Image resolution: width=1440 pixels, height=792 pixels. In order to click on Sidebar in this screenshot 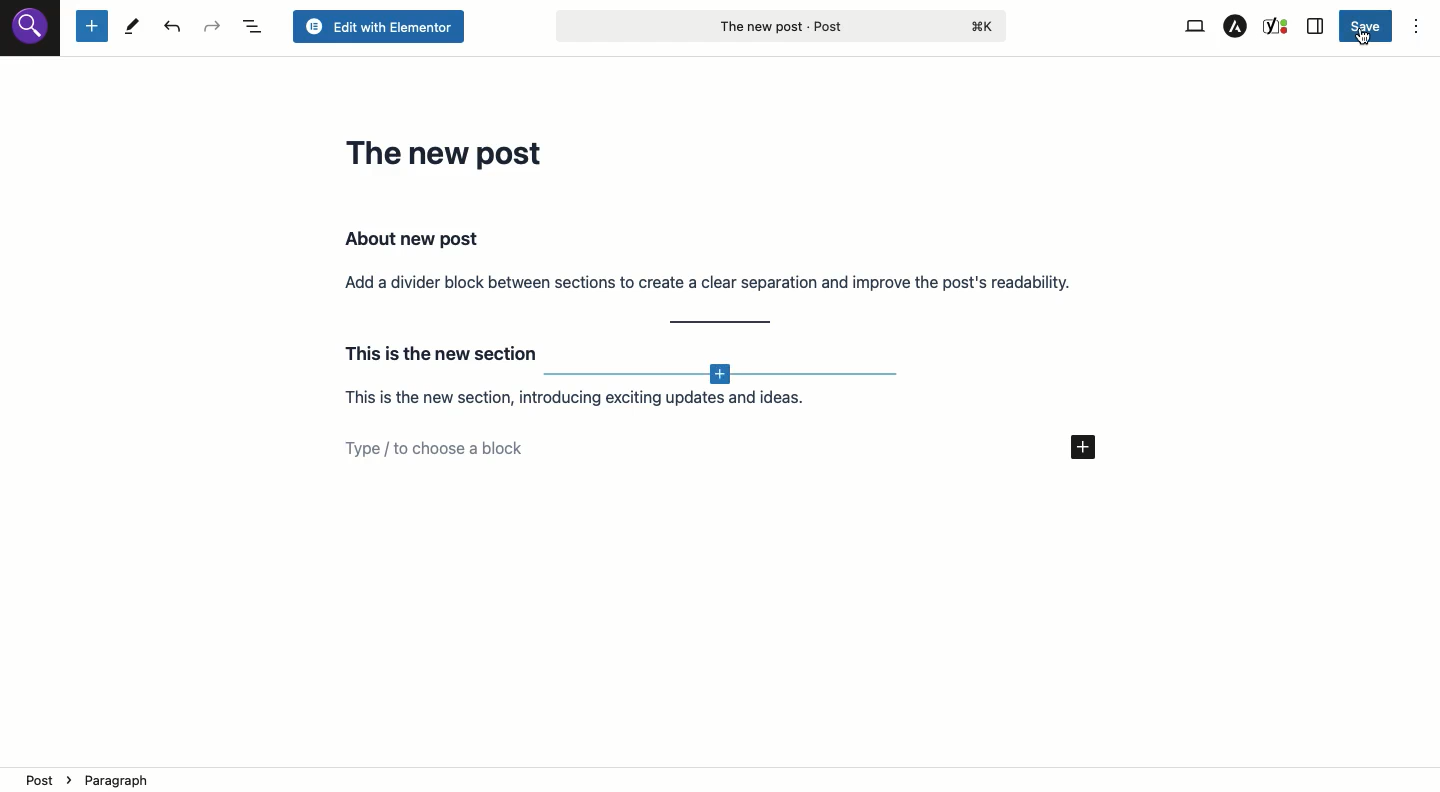, I will do `click(1316, 27)`.